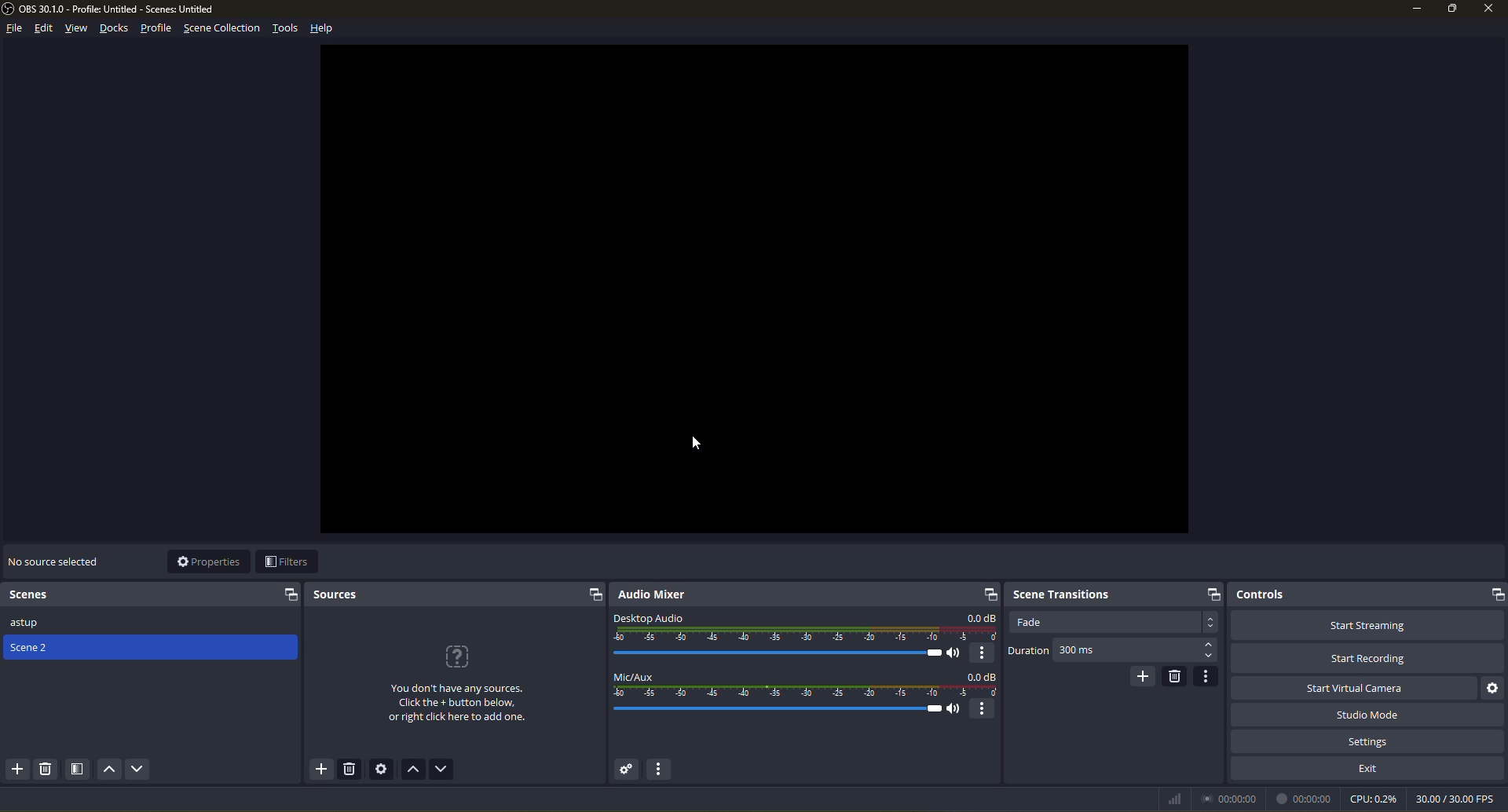 The image size is (1508, 812). What do you see at coordinates (1370, 740) in the screenshot?
I see `settings` at bounding box center [1370, 740].